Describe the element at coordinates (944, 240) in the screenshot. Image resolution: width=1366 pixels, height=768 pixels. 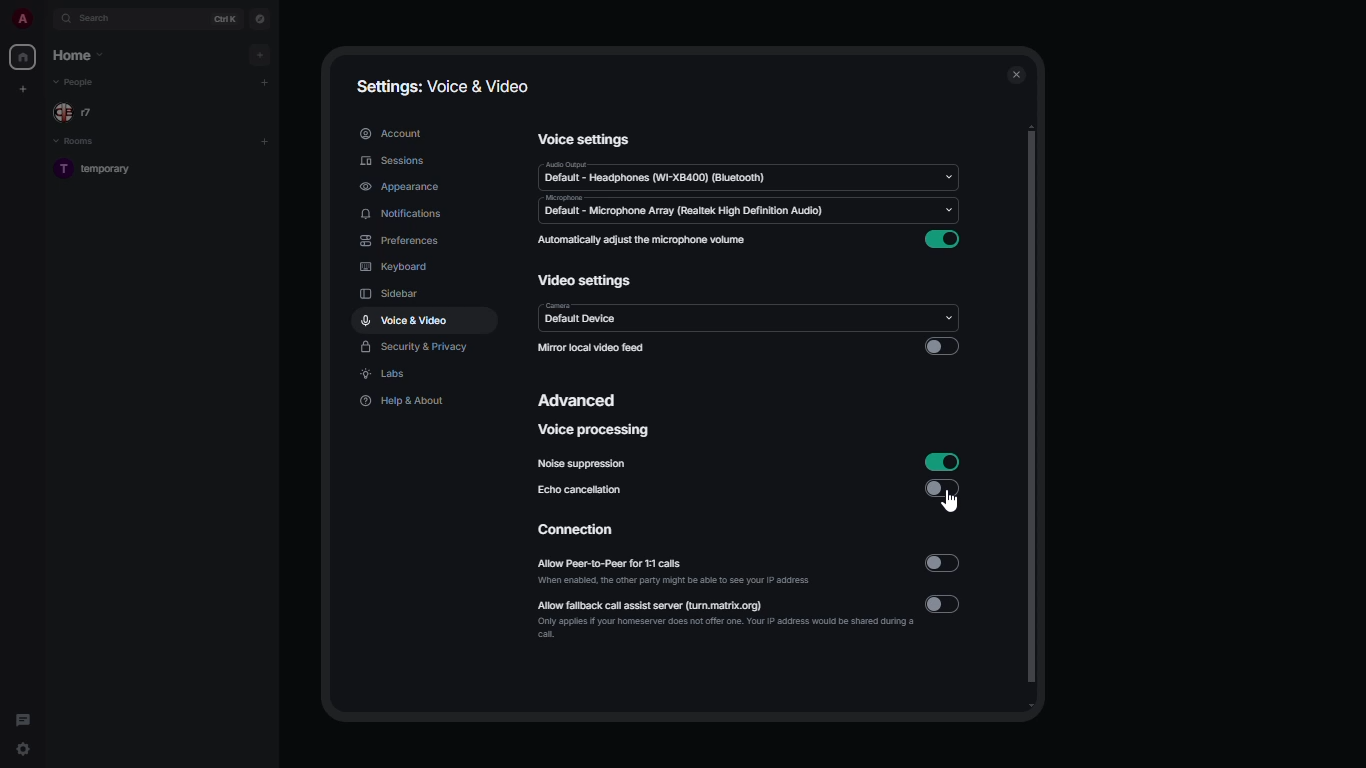
I see `enabled` at that location.